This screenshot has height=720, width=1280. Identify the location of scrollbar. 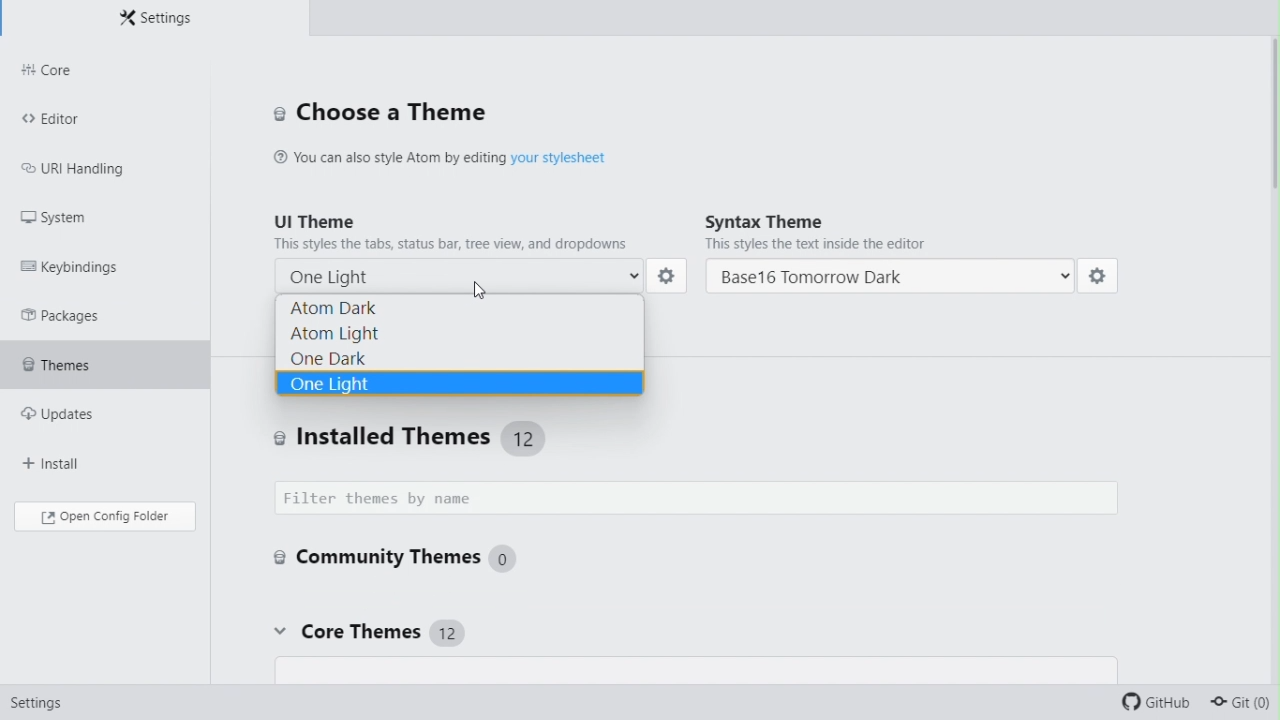
(1272, 142).